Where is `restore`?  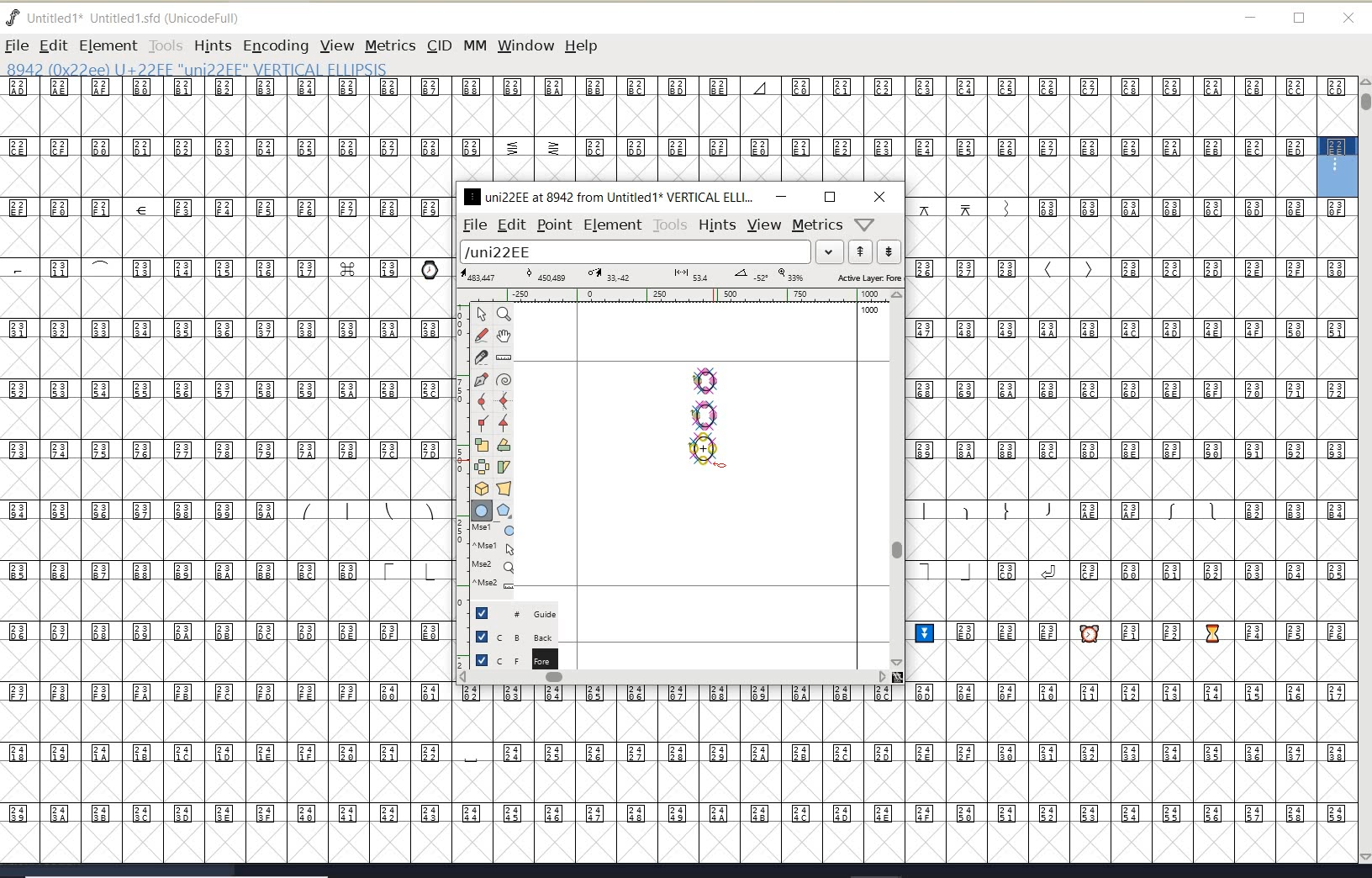 restore is located at coordinates (830, 197).